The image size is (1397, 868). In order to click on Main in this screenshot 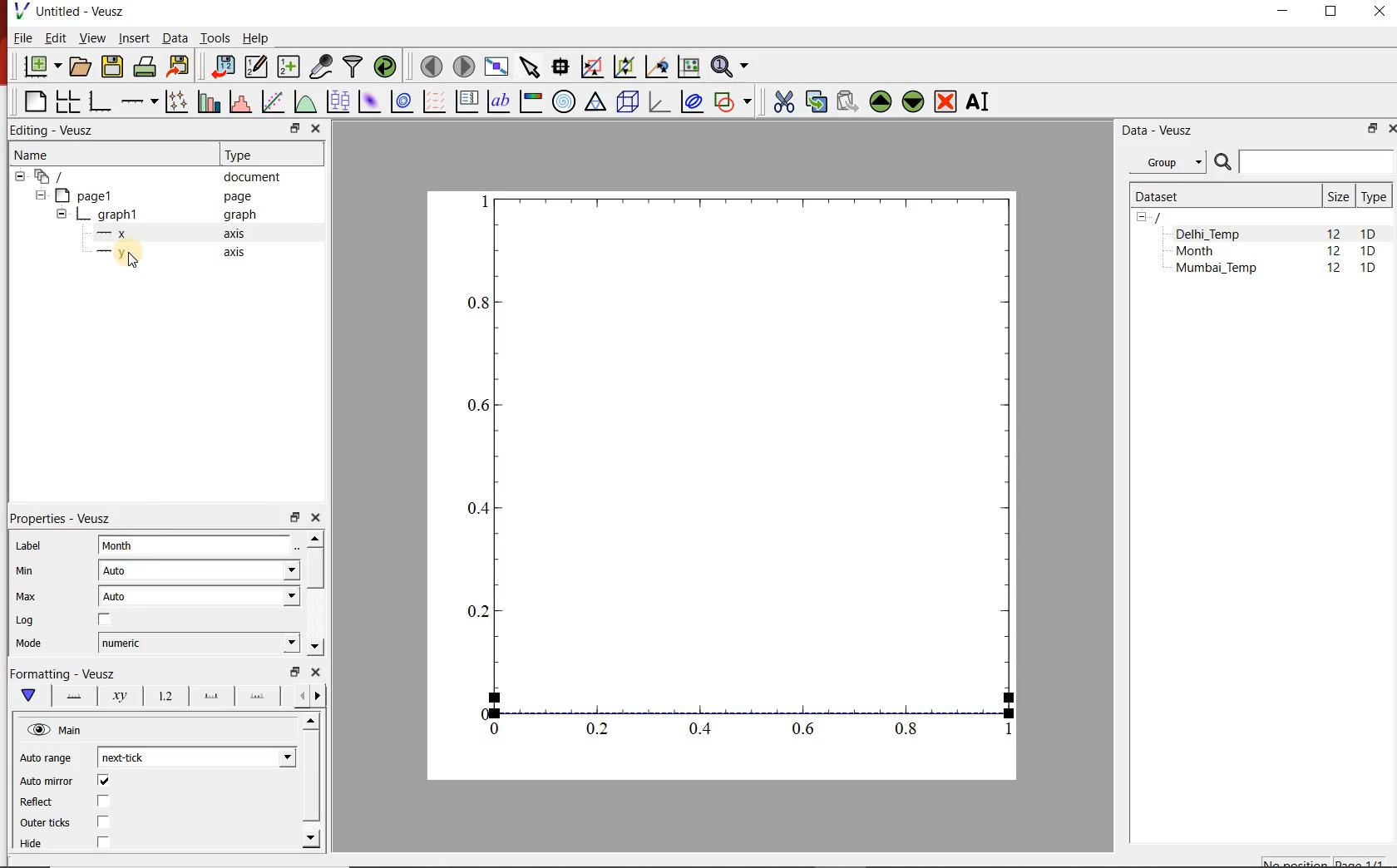, I will do `click(57, 730)`.